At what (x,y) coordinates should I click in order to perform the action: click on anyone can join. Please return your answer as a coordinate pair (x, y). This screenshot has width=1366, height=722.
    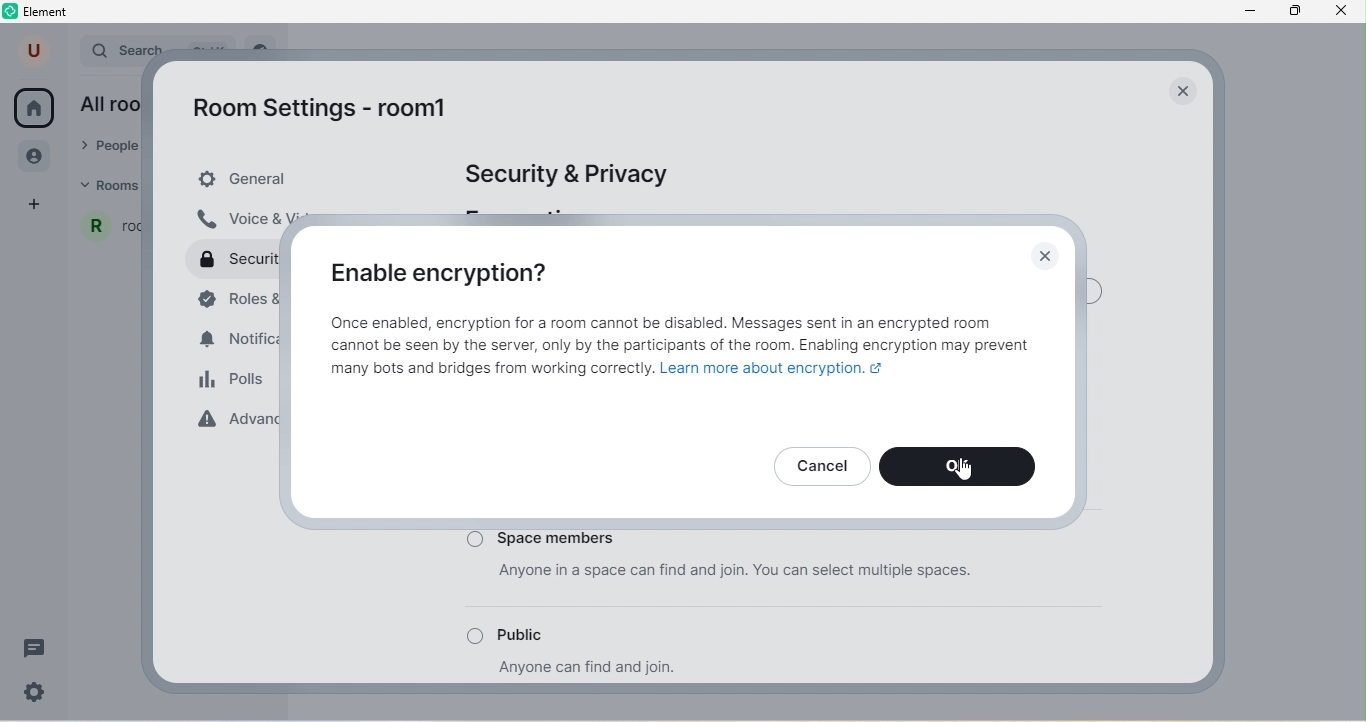
    Looking at the image, I should click on (591, 669).